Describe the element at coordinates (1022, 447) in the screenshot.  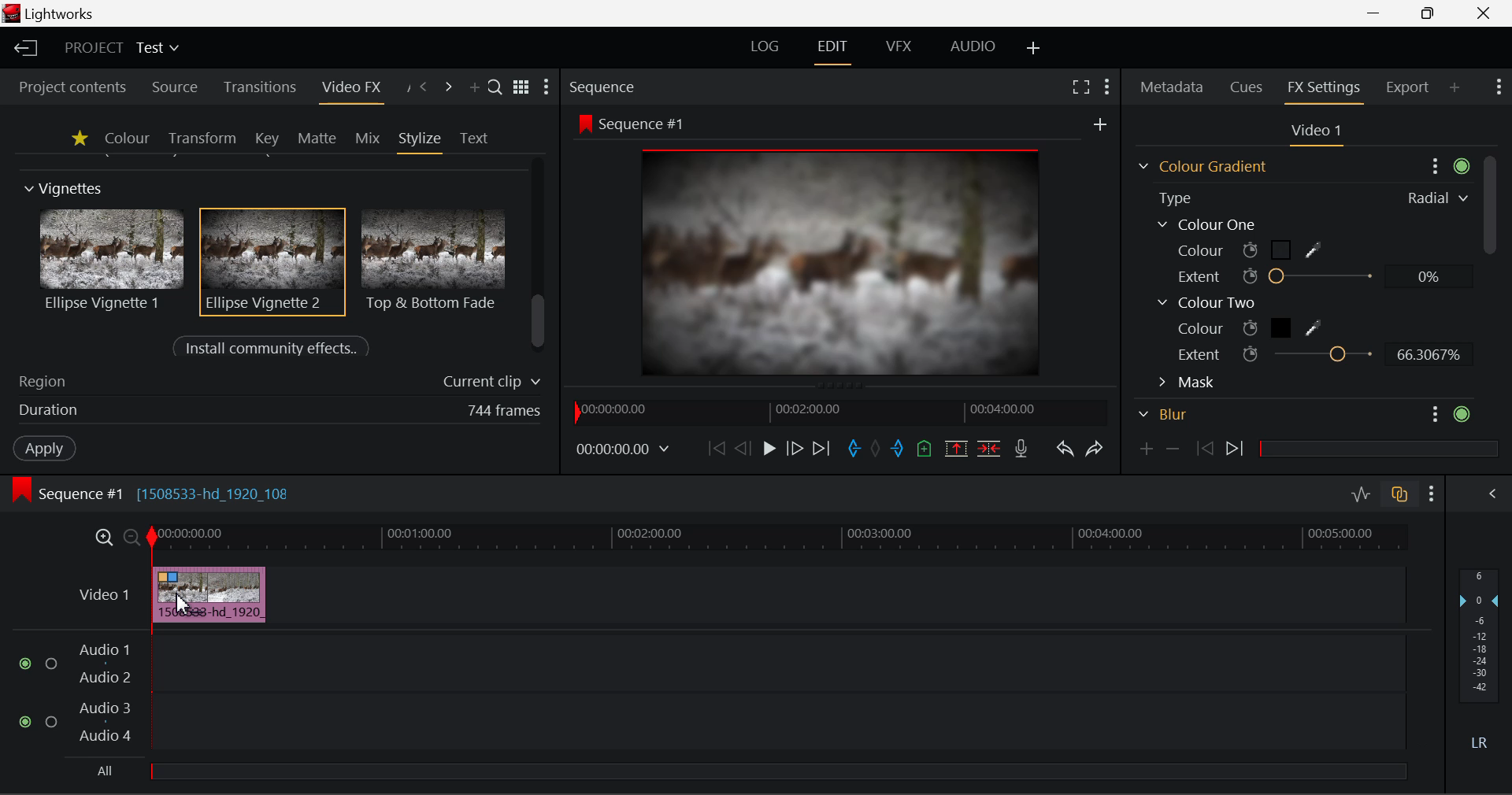
I see `Record Voiceover` at that location.